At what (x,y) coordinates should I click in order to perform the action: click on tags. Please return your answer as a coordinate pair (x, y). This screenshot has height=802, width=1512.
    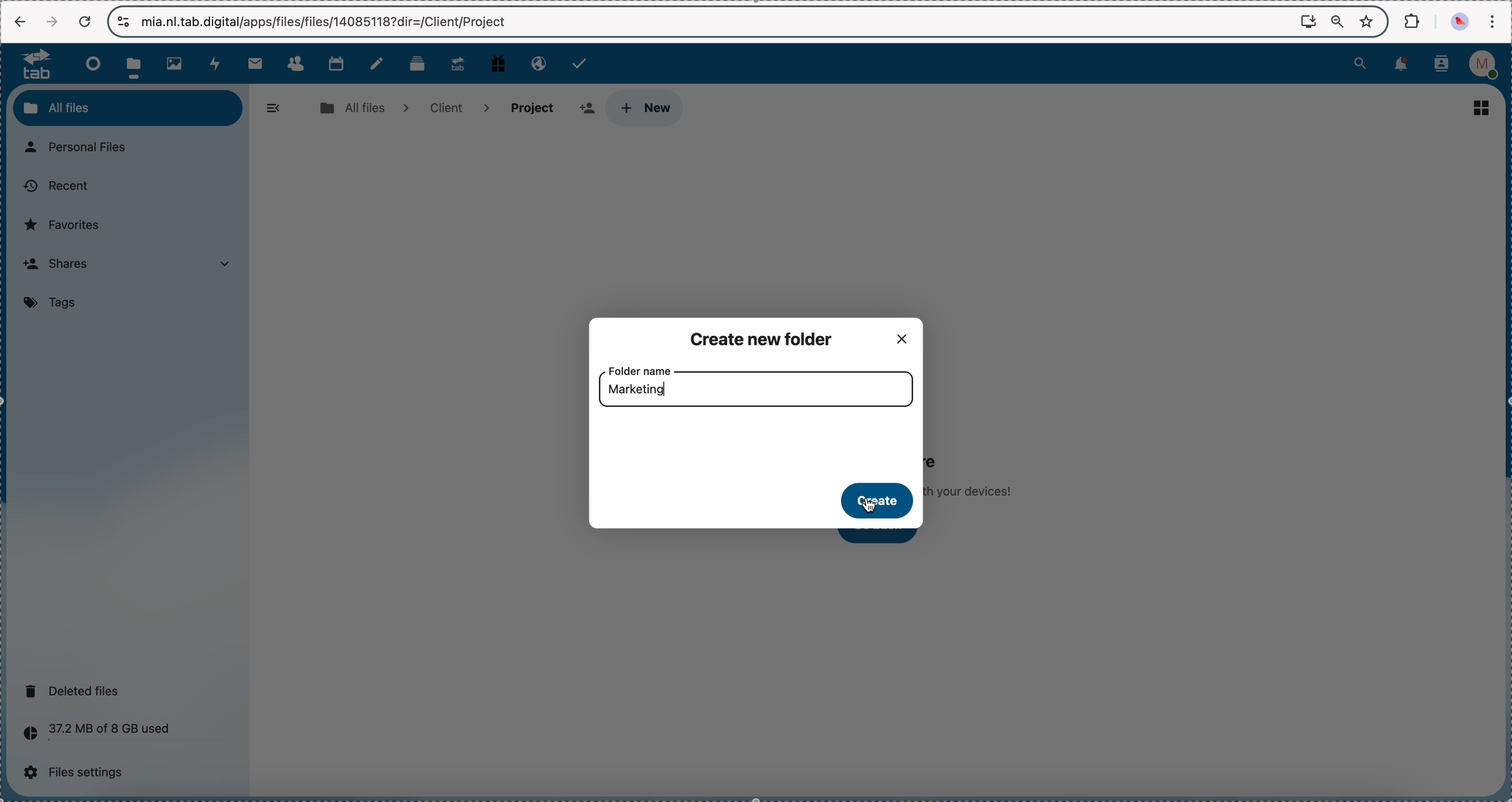
    Looking at the image, I should click on (54, 304).